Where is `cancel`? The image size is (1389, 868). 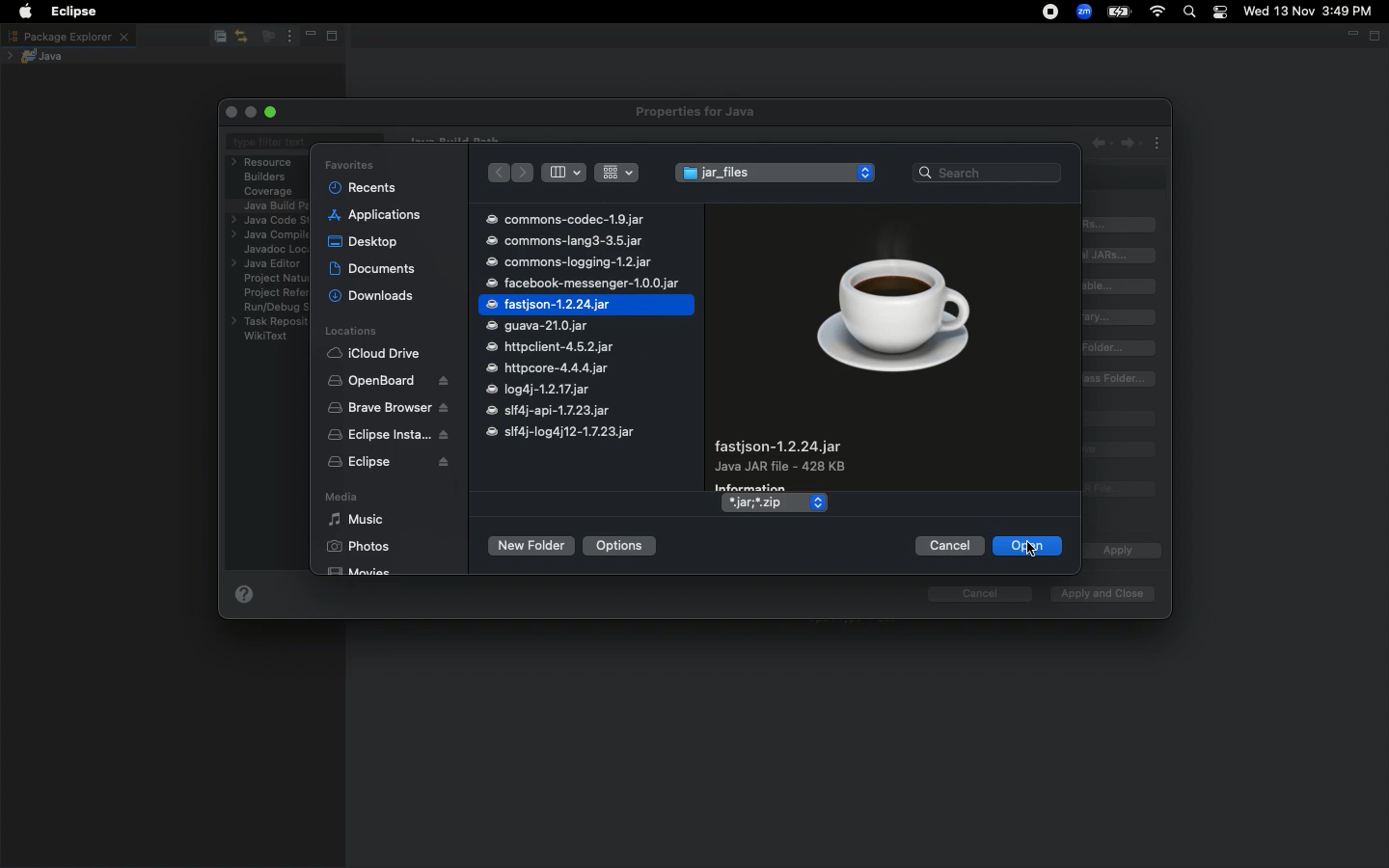 cancel is located at coordinates (970, 594).